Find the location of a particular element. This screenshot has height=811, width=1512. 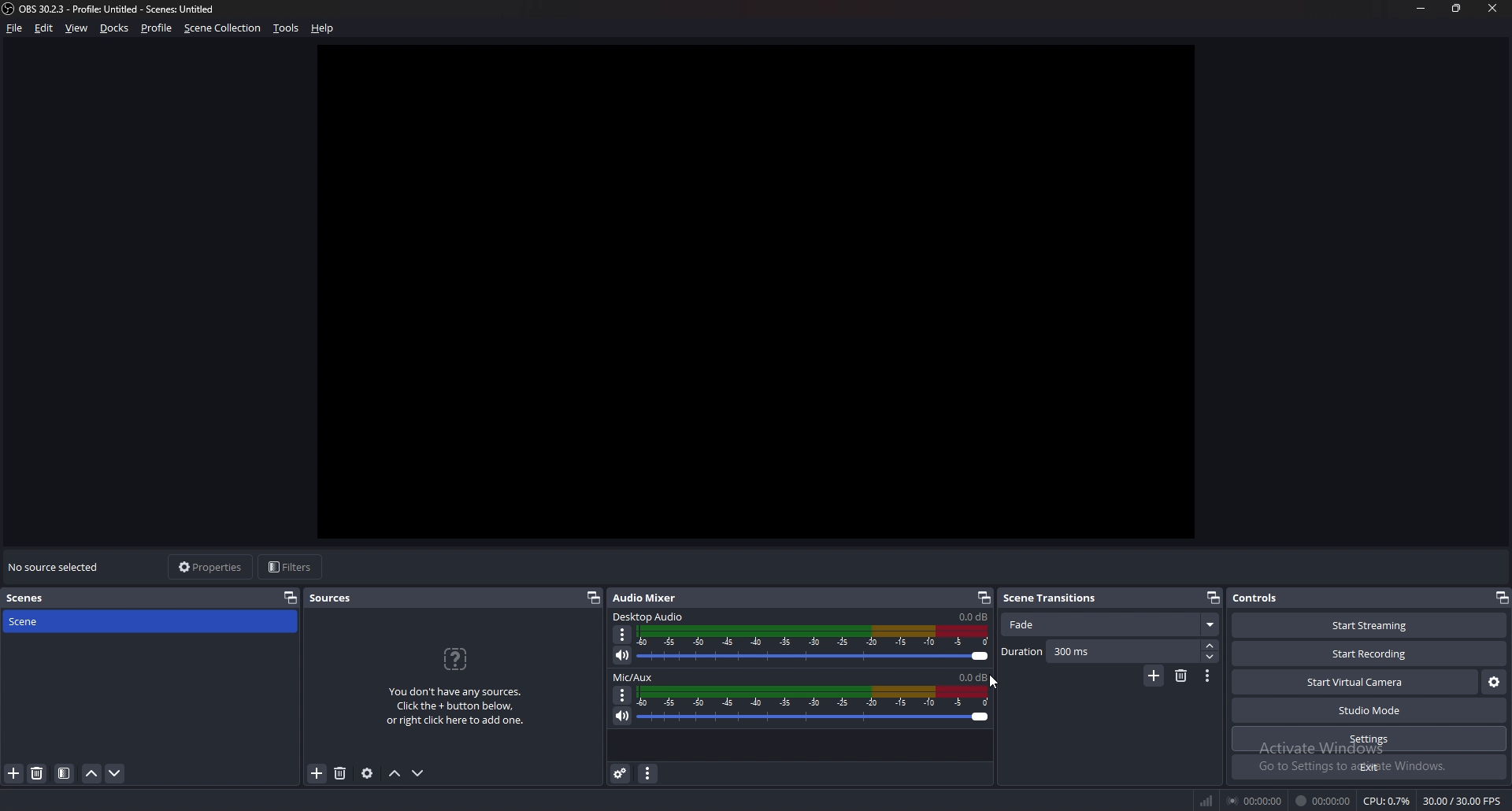

close is located at coordinates (1493, 8).